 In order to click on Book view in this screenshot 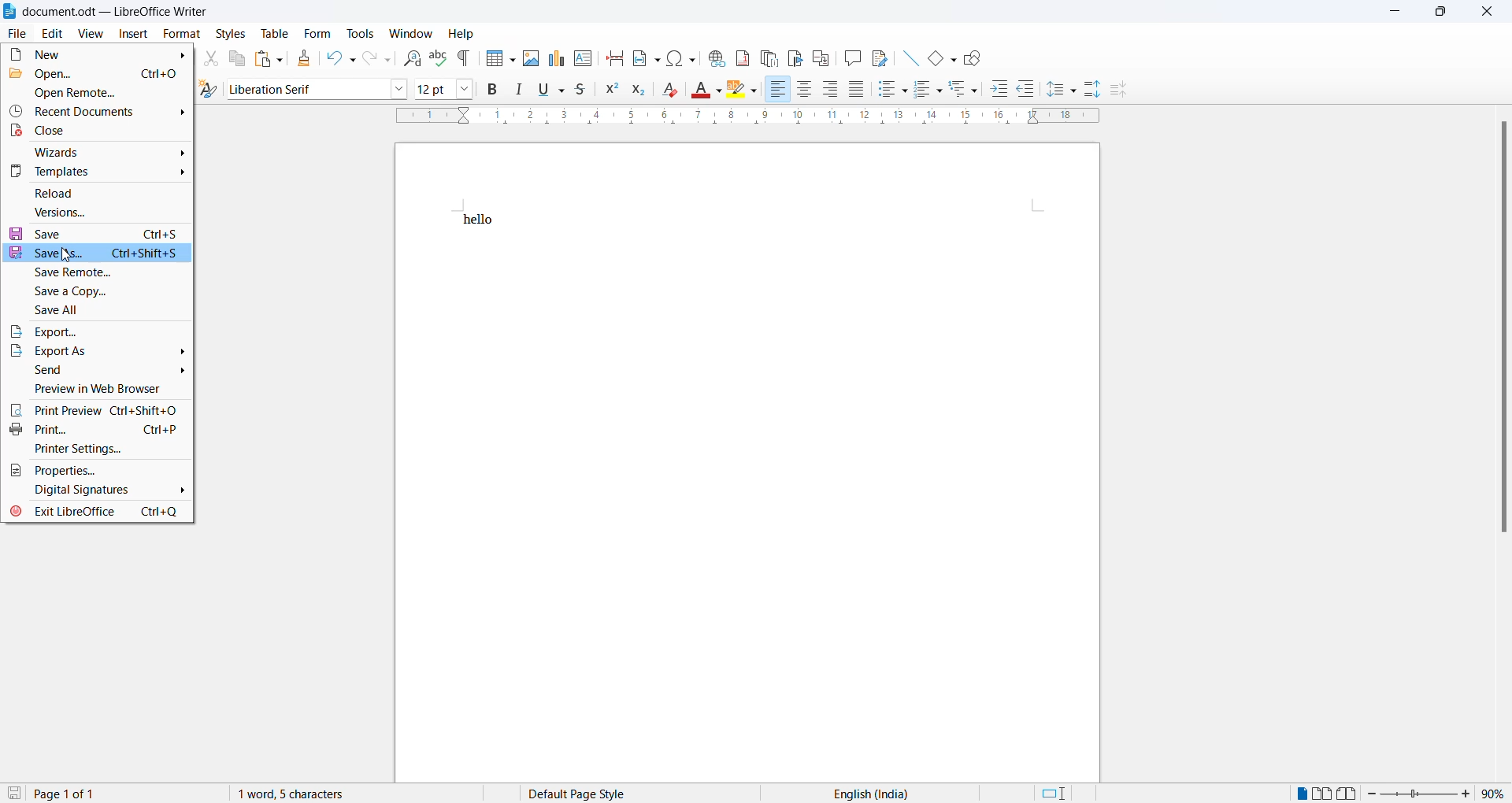, I will do `click(1349, 793)`.